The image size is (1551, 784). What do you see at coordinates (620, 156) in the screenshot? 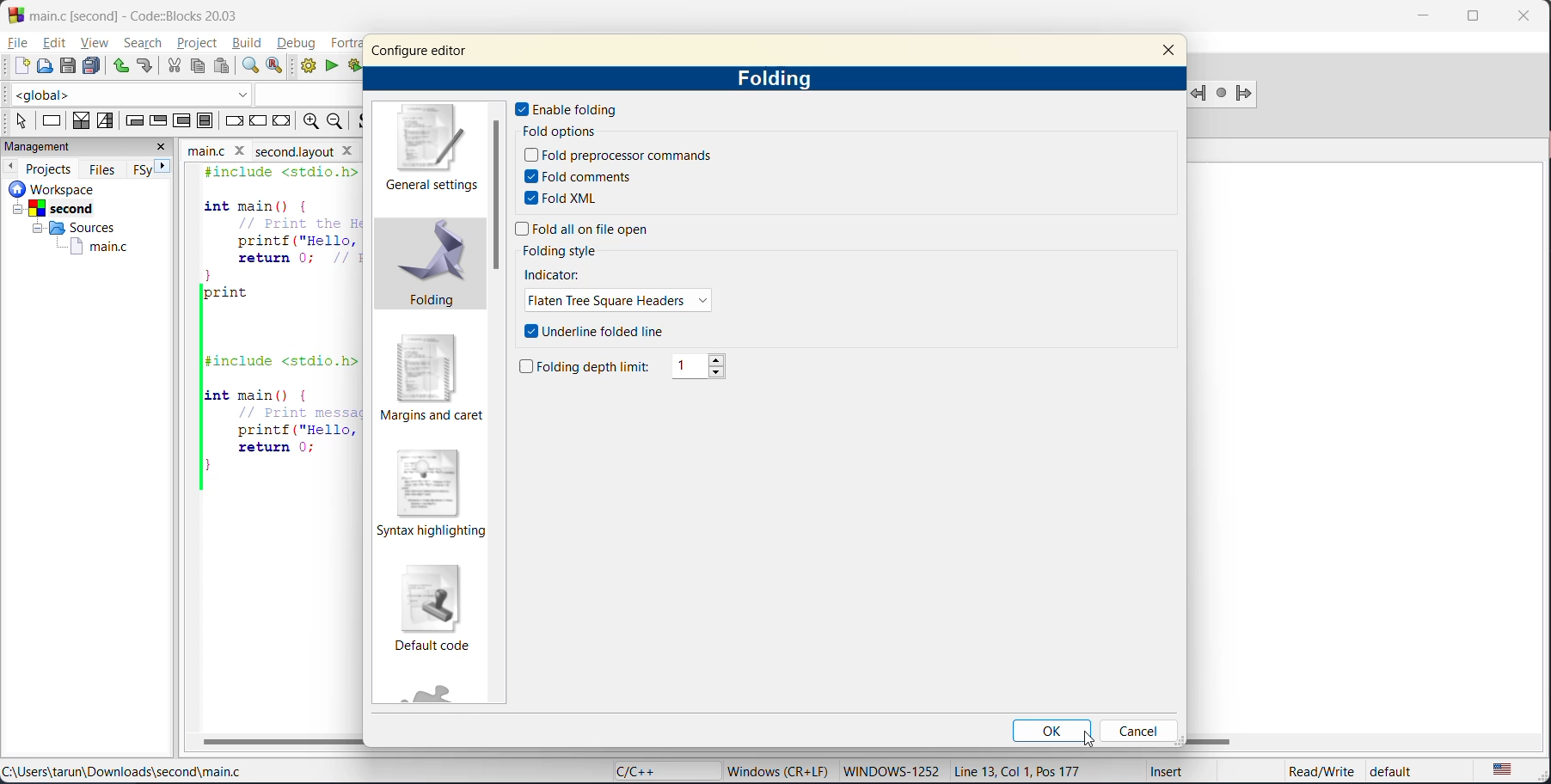
I see `fold preprocessor commands` at bounding box center [620, 156].